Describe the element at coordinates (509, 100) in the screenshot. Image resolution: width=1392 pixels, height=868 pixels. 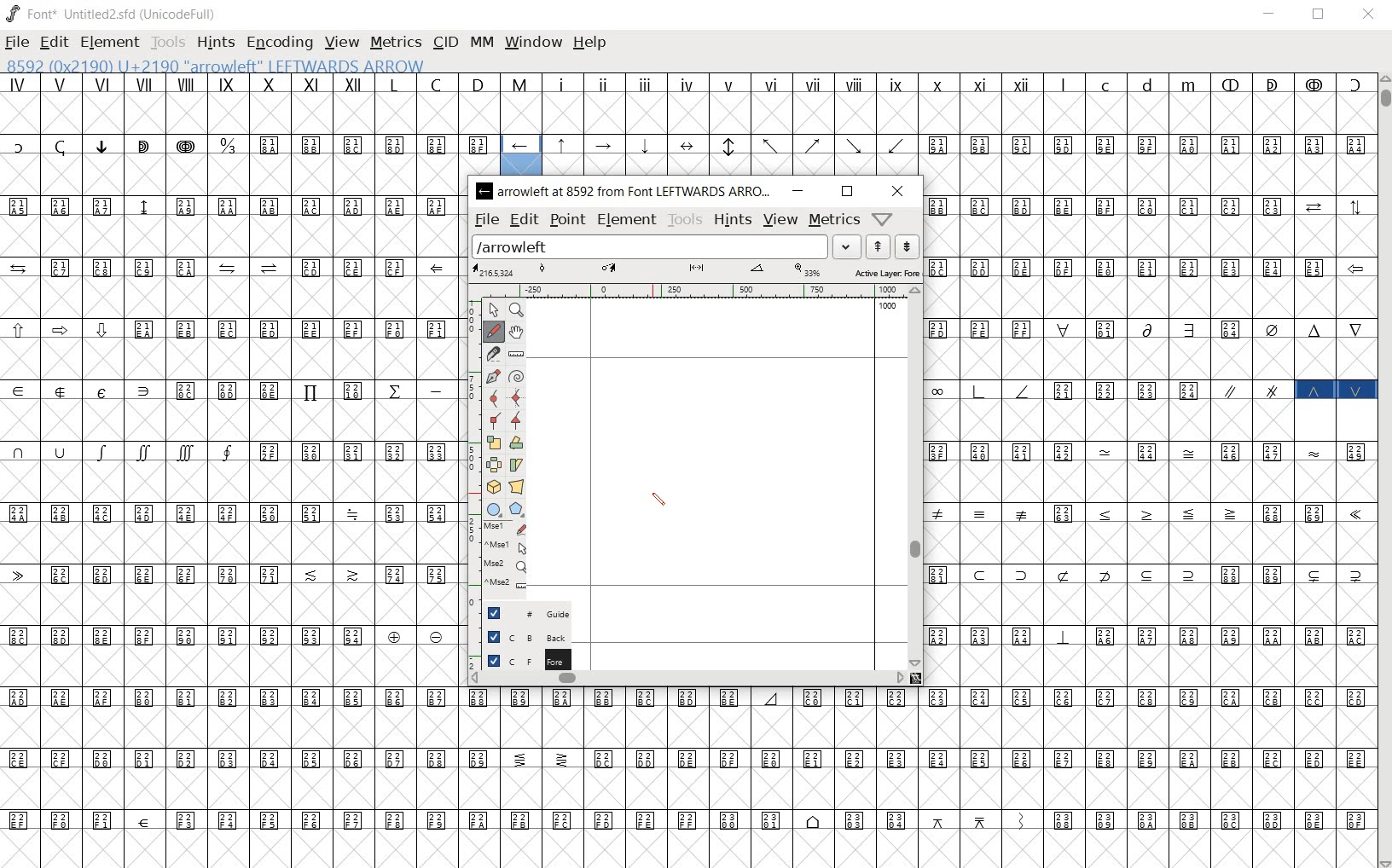
I see `glyph` at that location.